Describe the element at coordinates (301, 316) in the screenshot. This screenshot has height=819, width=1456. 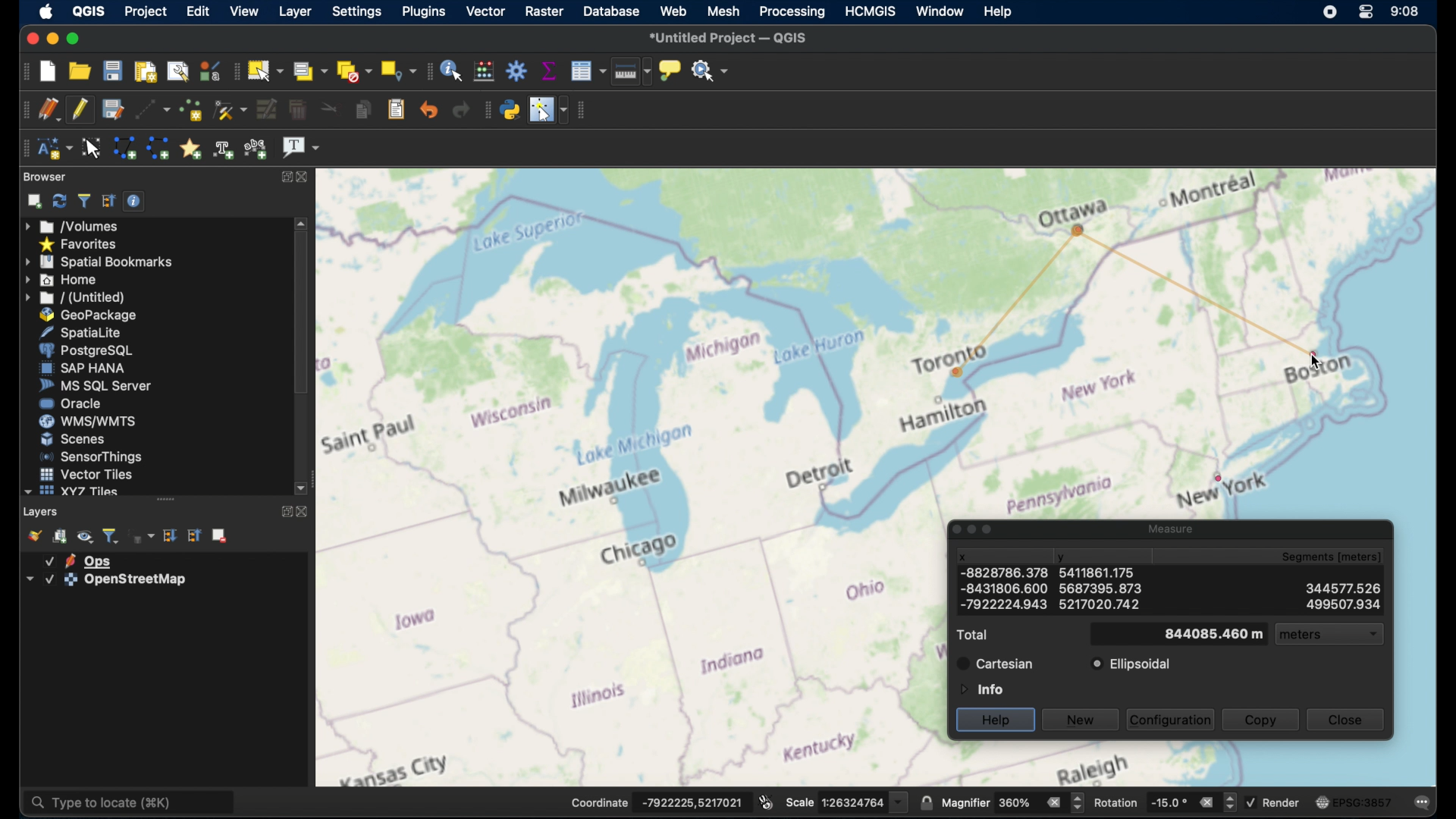
I see `scroll box` at that location.